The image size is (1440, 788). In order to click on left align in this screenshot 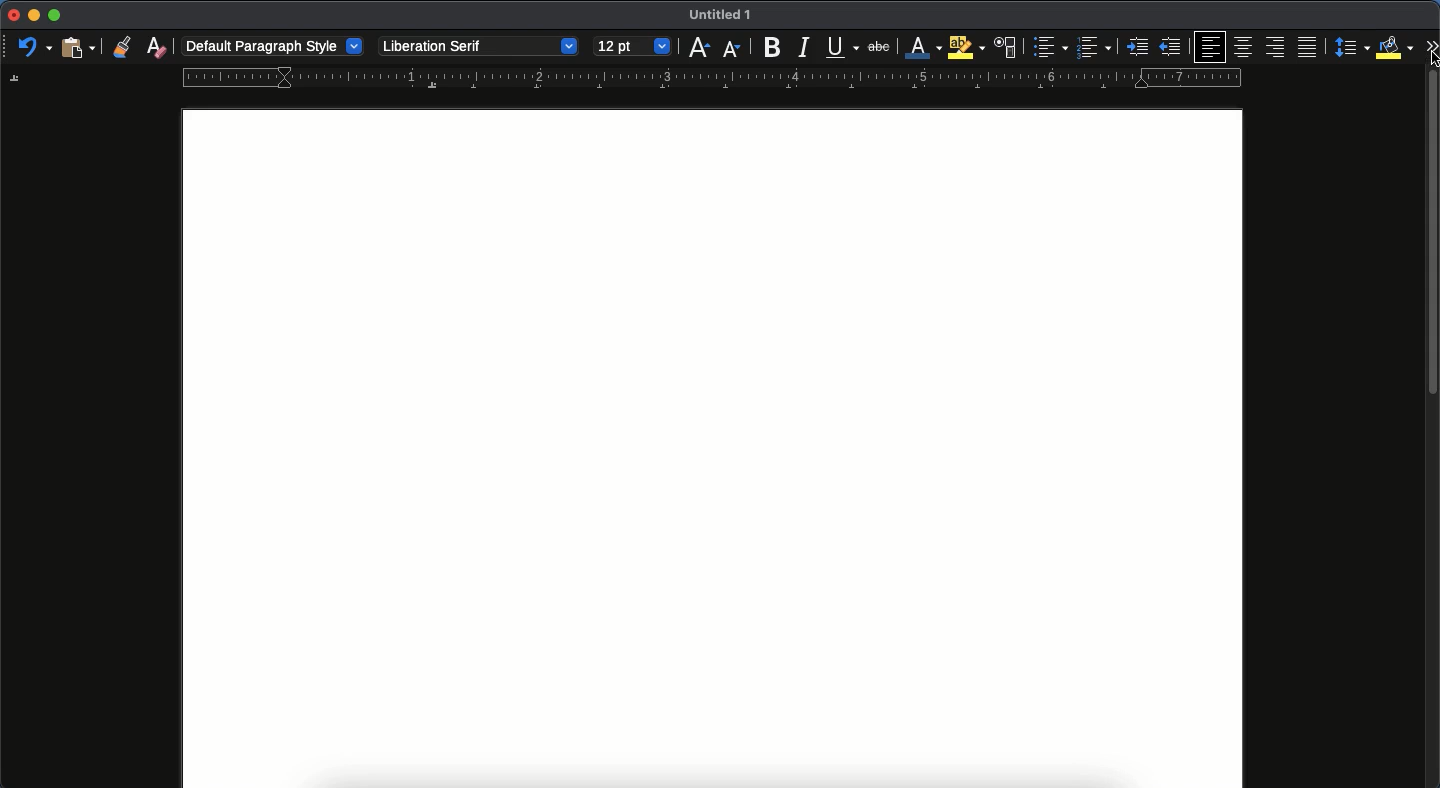, I will do `click(1212, 46)`.